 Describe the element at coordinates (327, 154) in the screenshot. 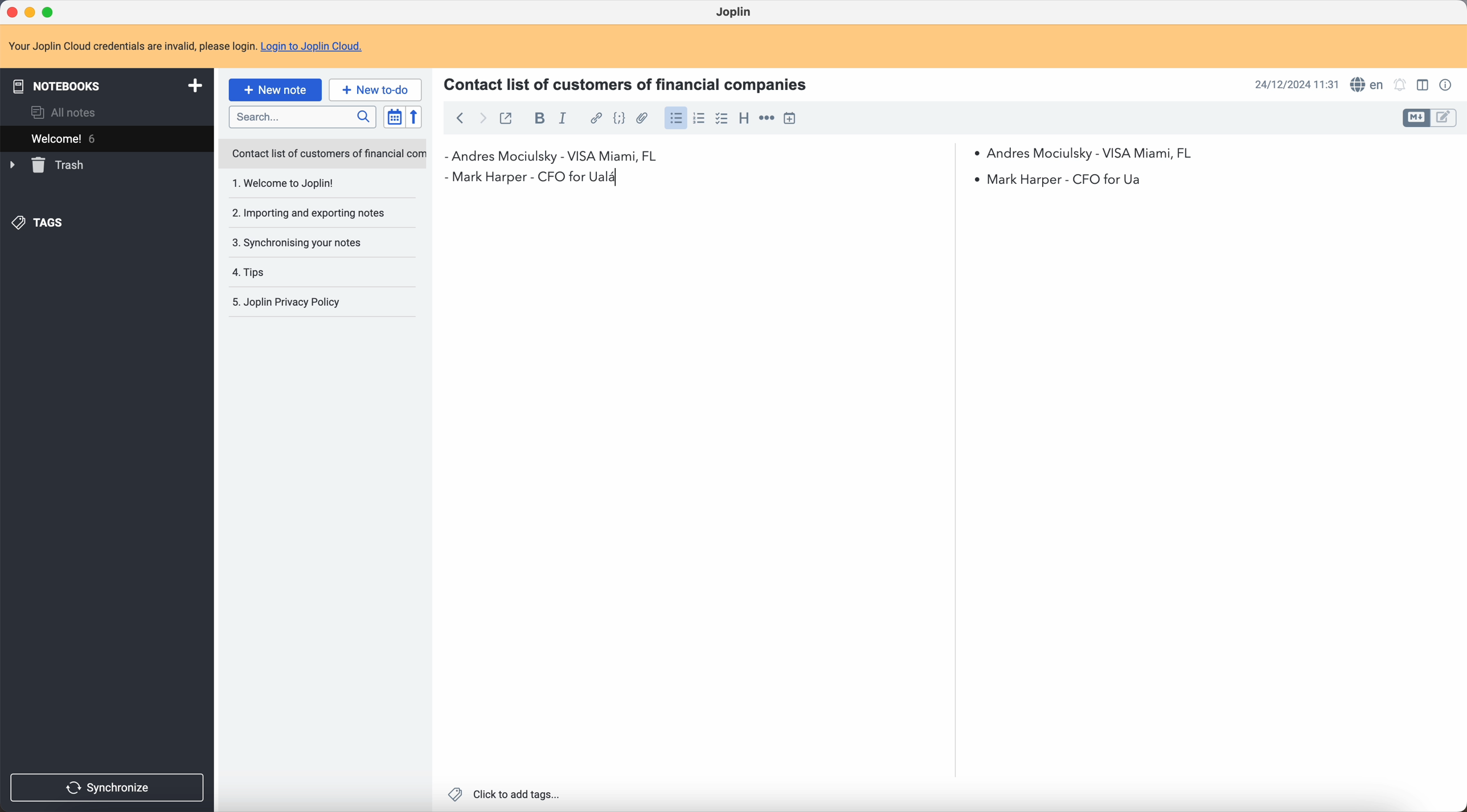

I see `Contact list of customers of financial com` at that location.